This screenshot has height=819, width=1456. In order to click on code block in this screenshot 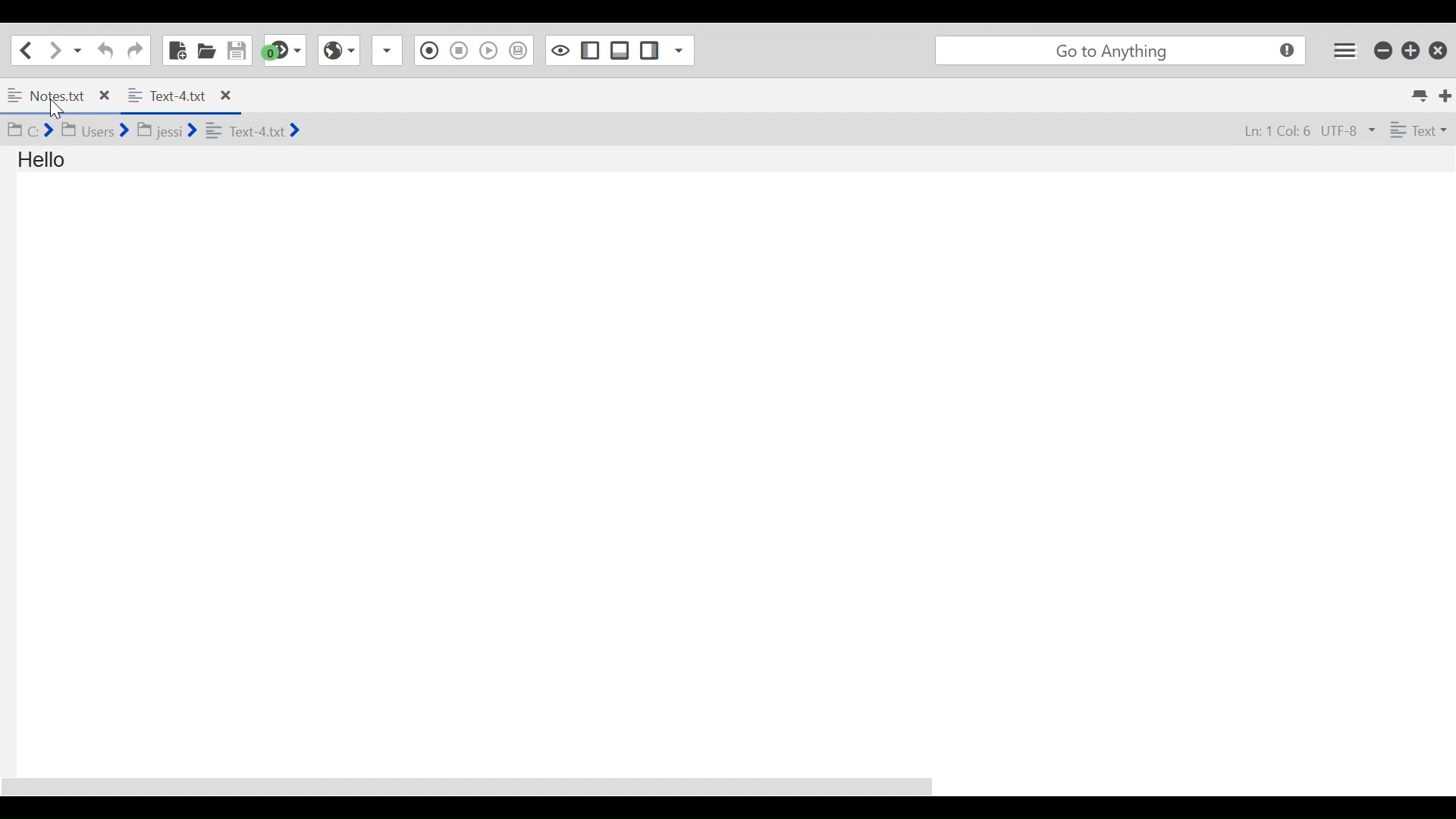, I will do `click(76, 178)`.